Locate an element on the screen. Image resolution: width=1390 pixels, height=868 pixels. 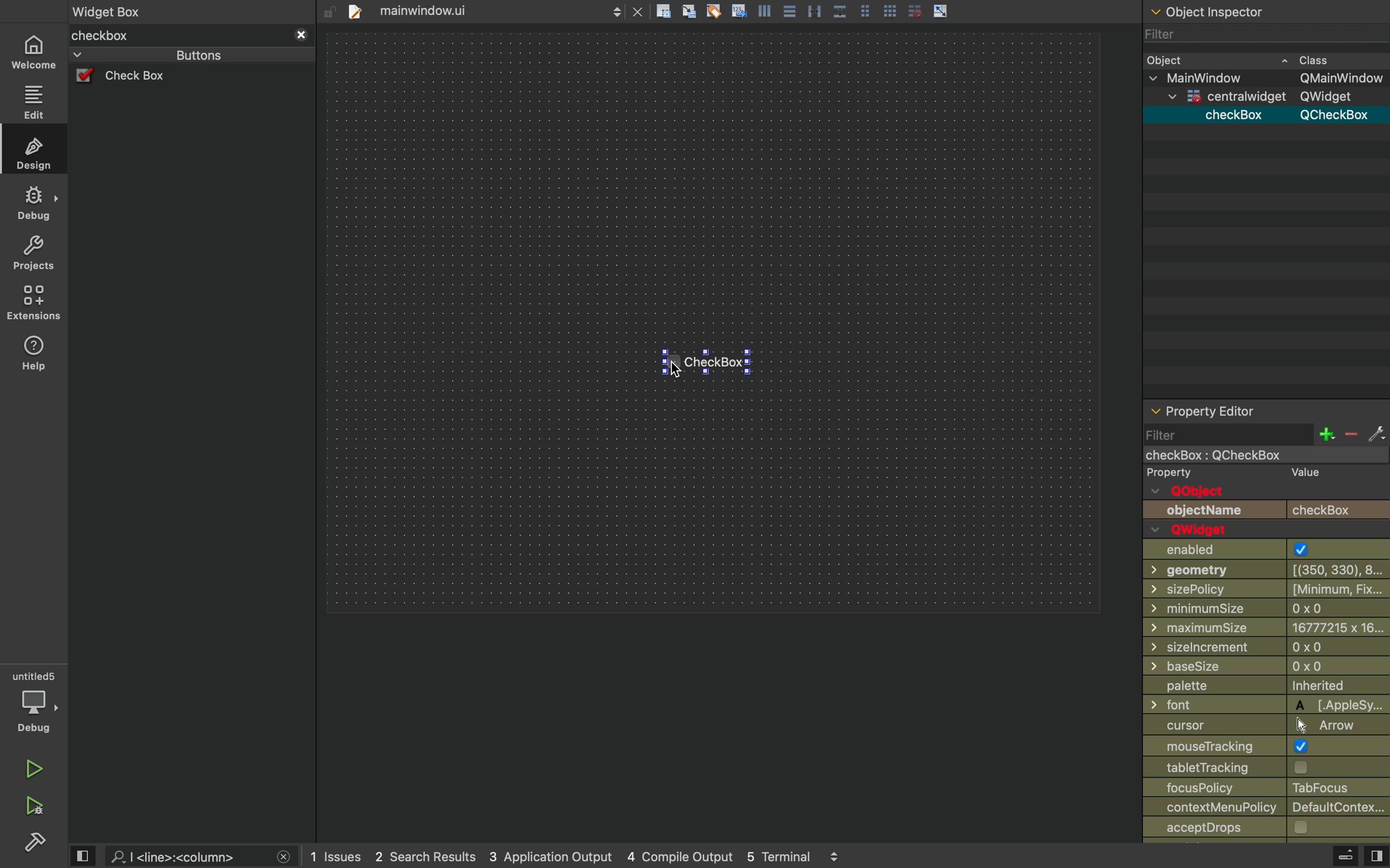
file tab is located at coordinates (436, 11).